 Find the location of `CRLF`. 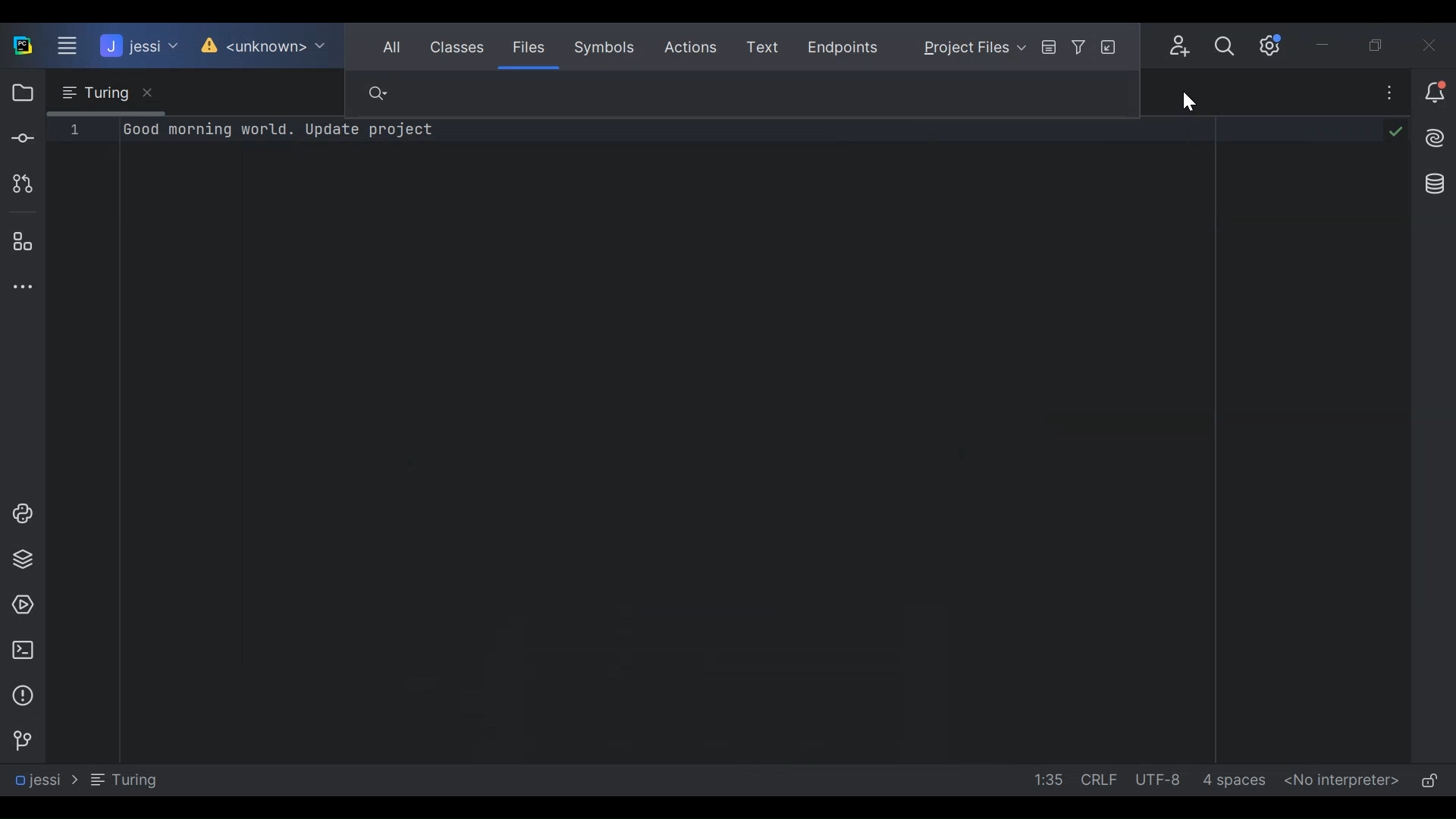

CRLF is located at coordinates (1101, 781).